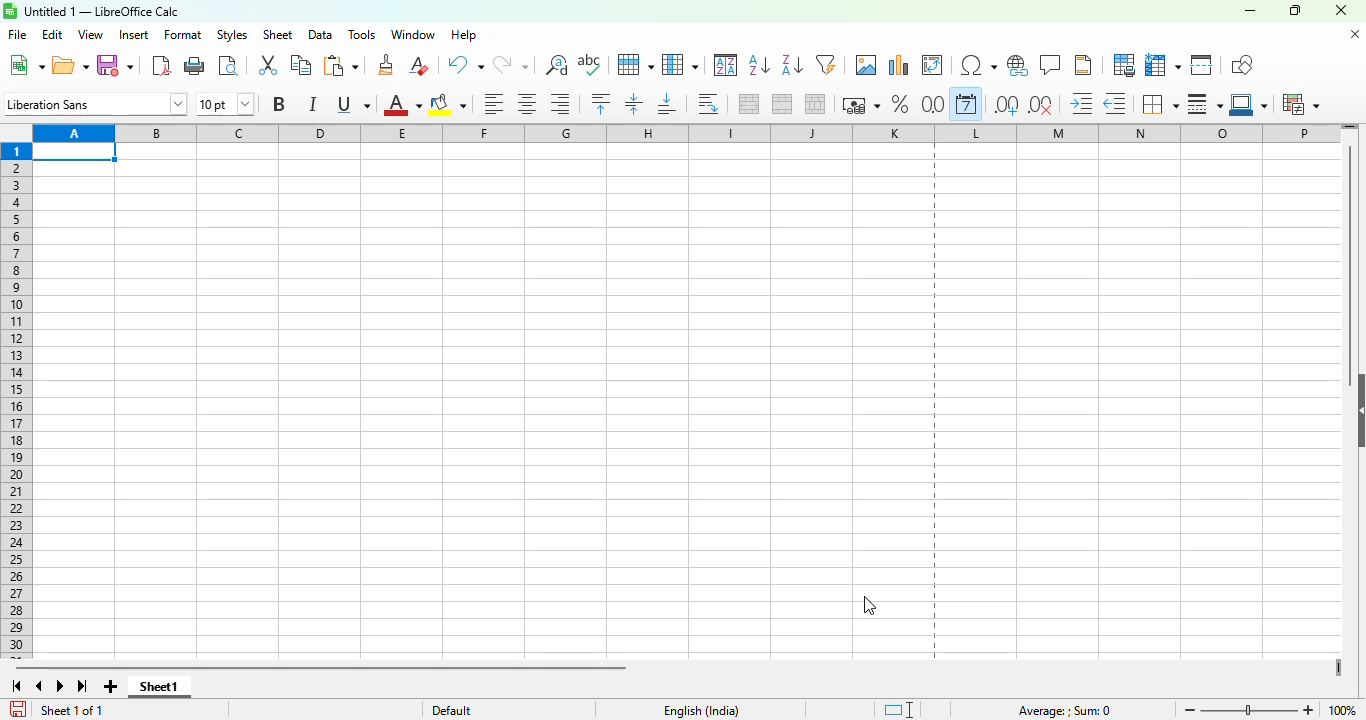  I want to click on center vertically, so click(633, 104).